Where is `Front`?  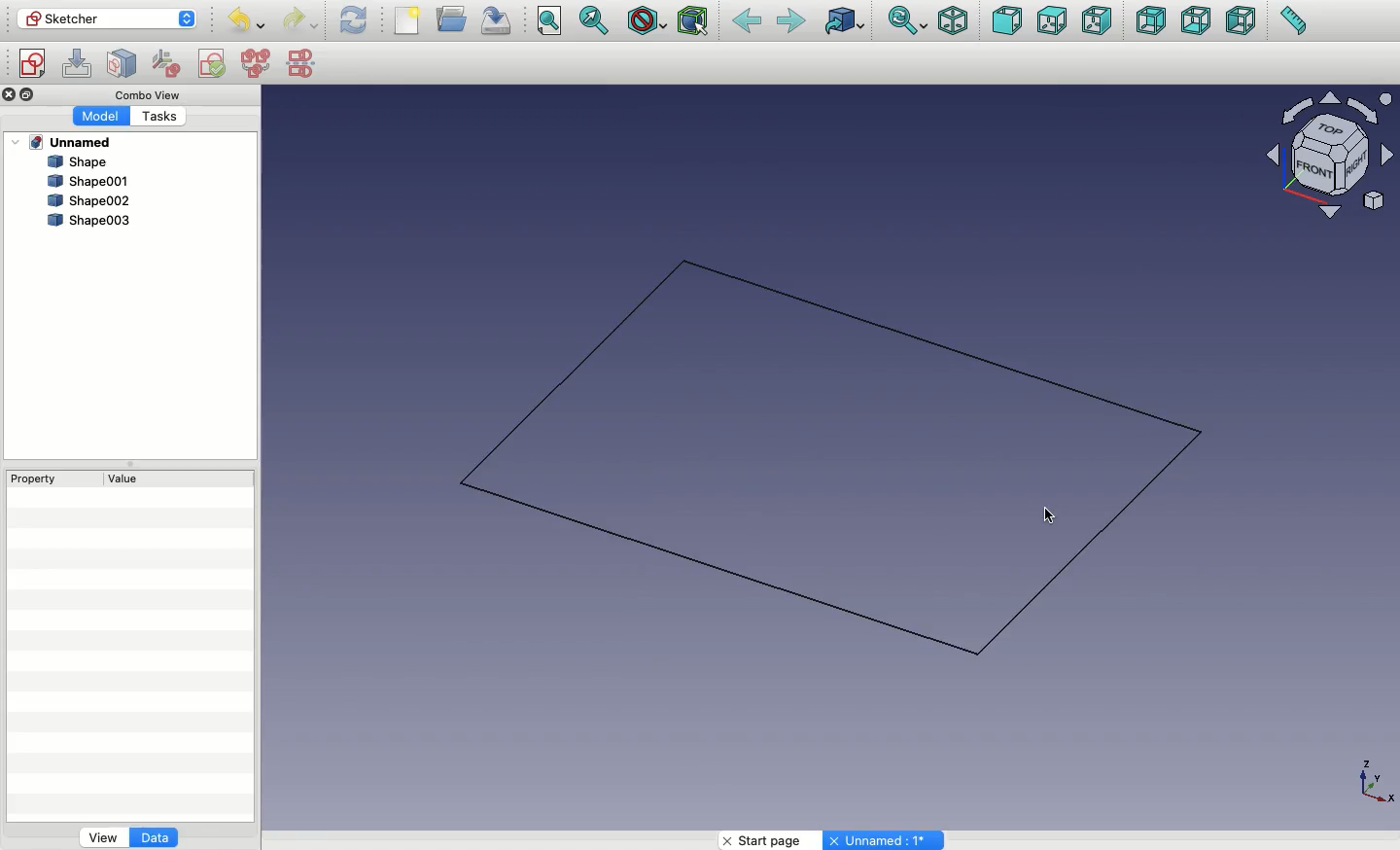
Front is located at coordinates (1006, 23).